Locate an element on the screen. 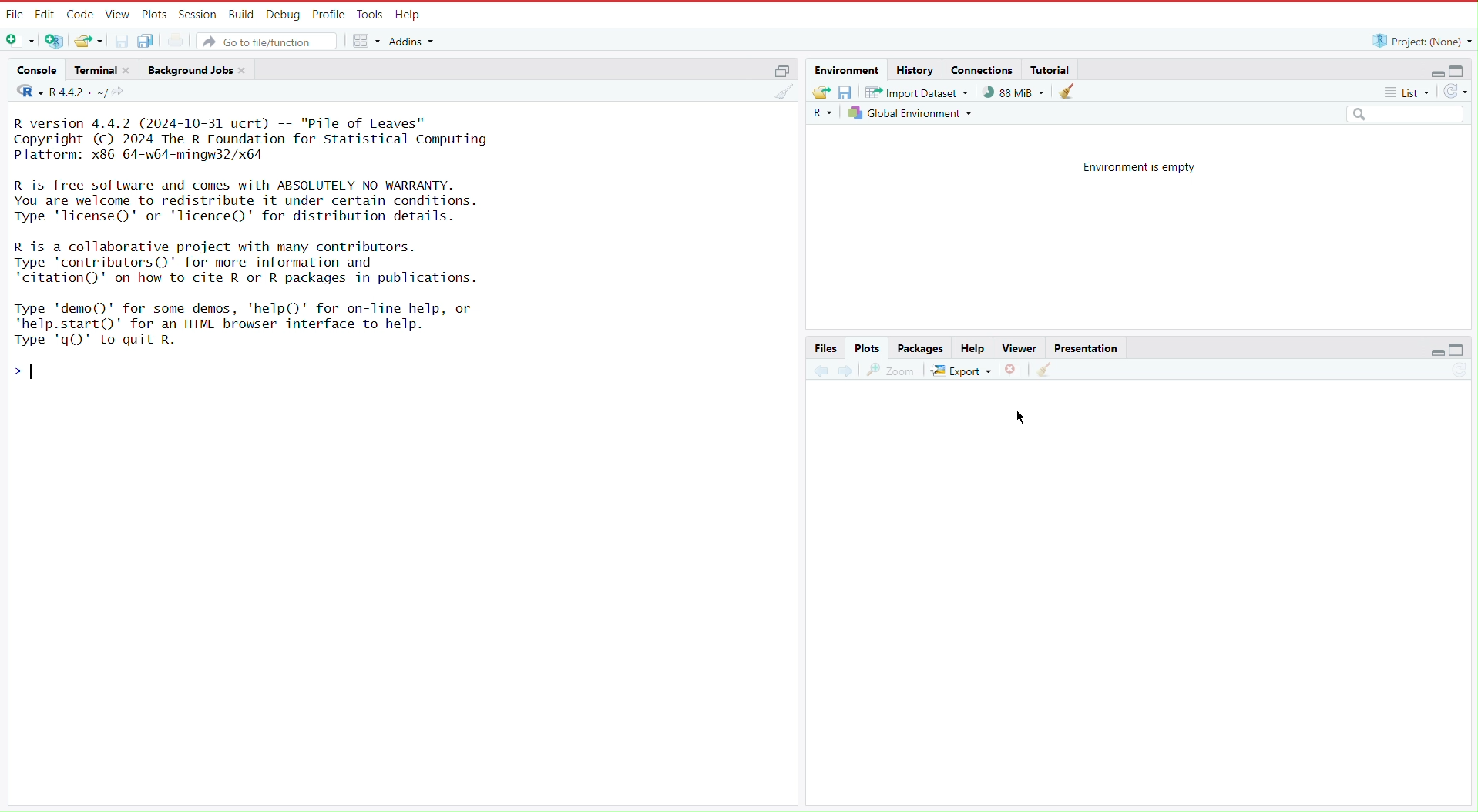 The height and width of the screenshot is (812, 1478). Help is located at coordinates (408, 15).